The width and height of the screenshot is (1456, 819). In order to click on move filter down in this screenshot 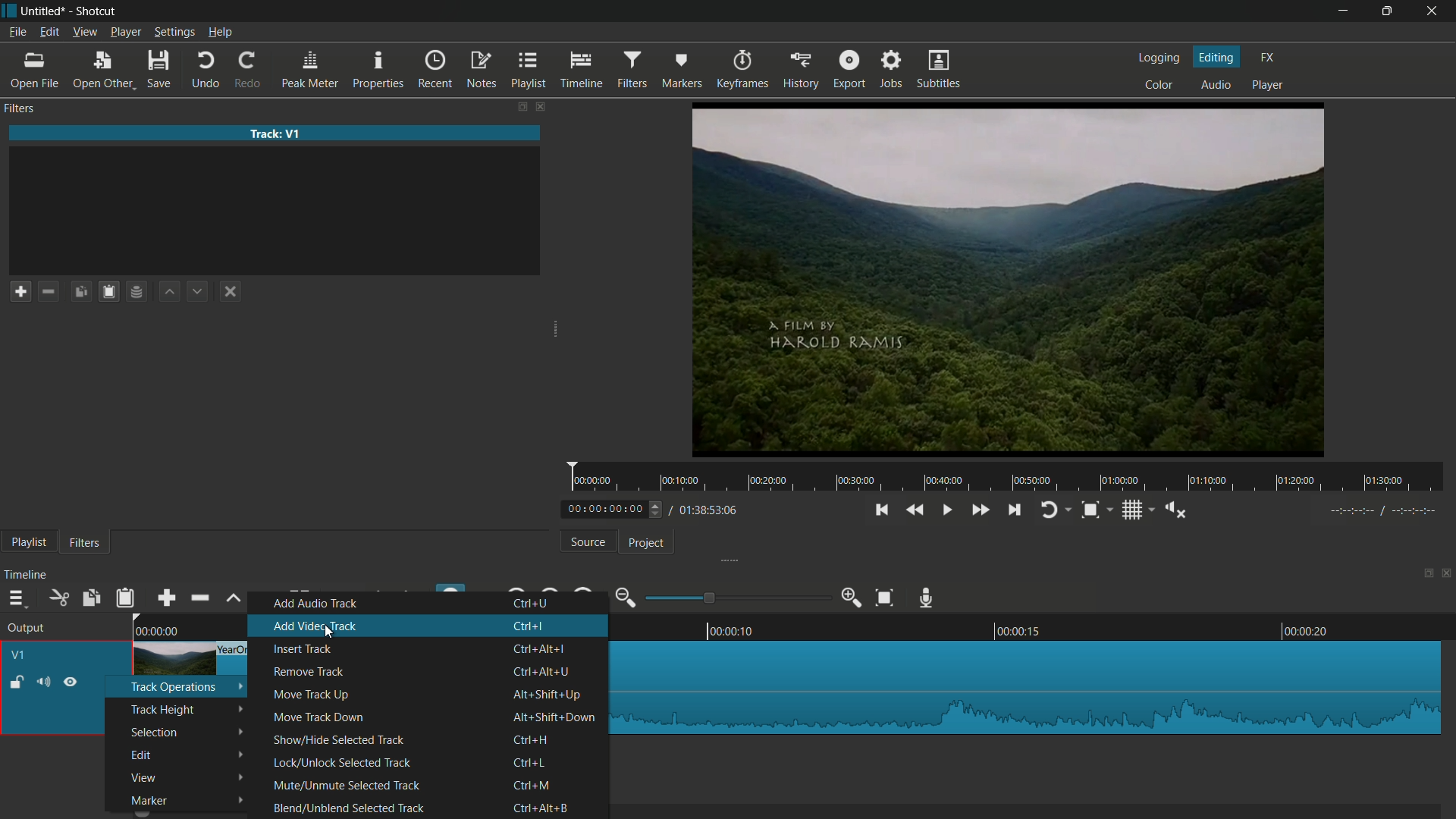, I will do `click(198, 290)`.